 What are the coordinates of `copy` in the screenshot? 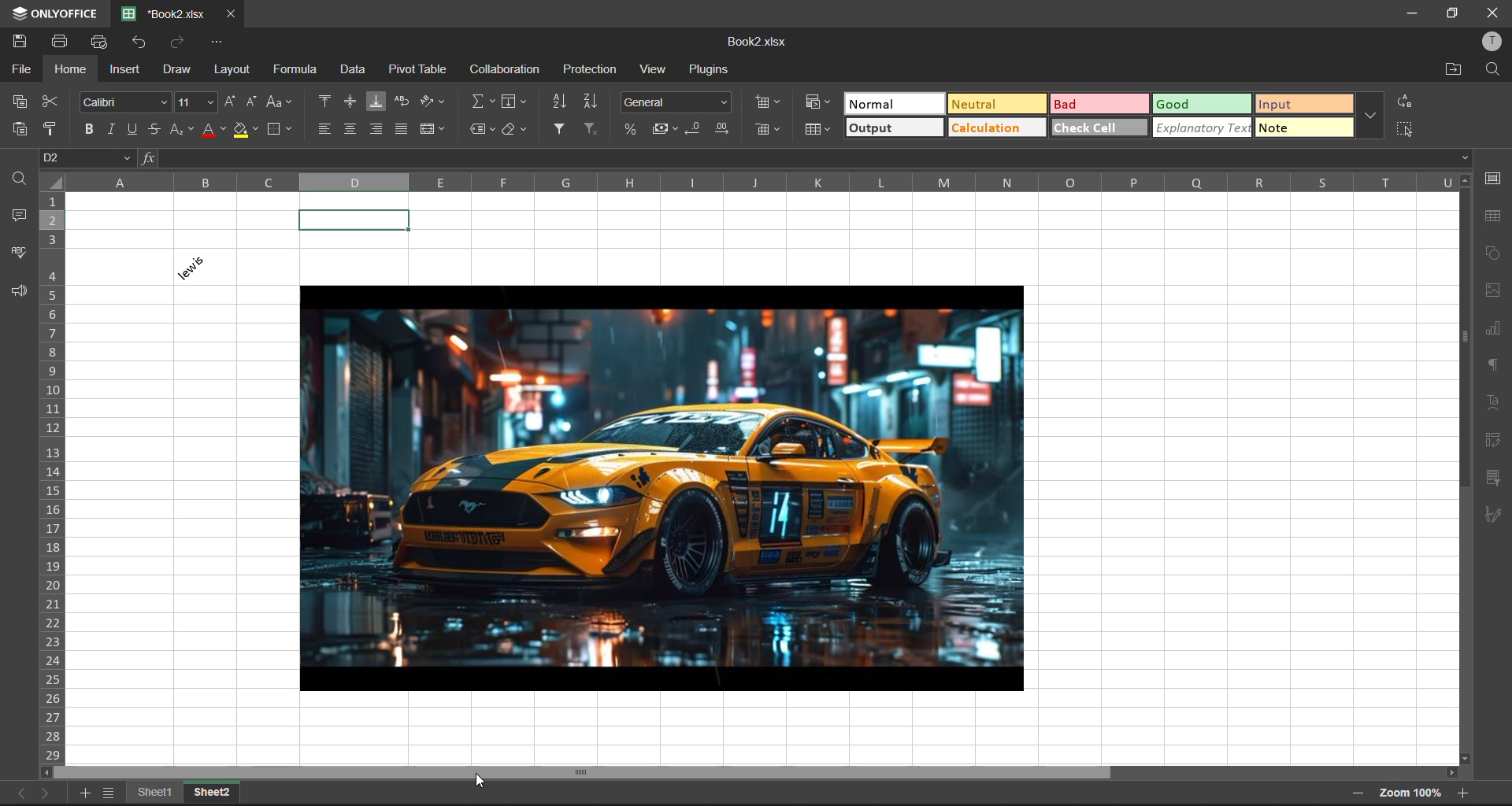 It's located at (21, 102).